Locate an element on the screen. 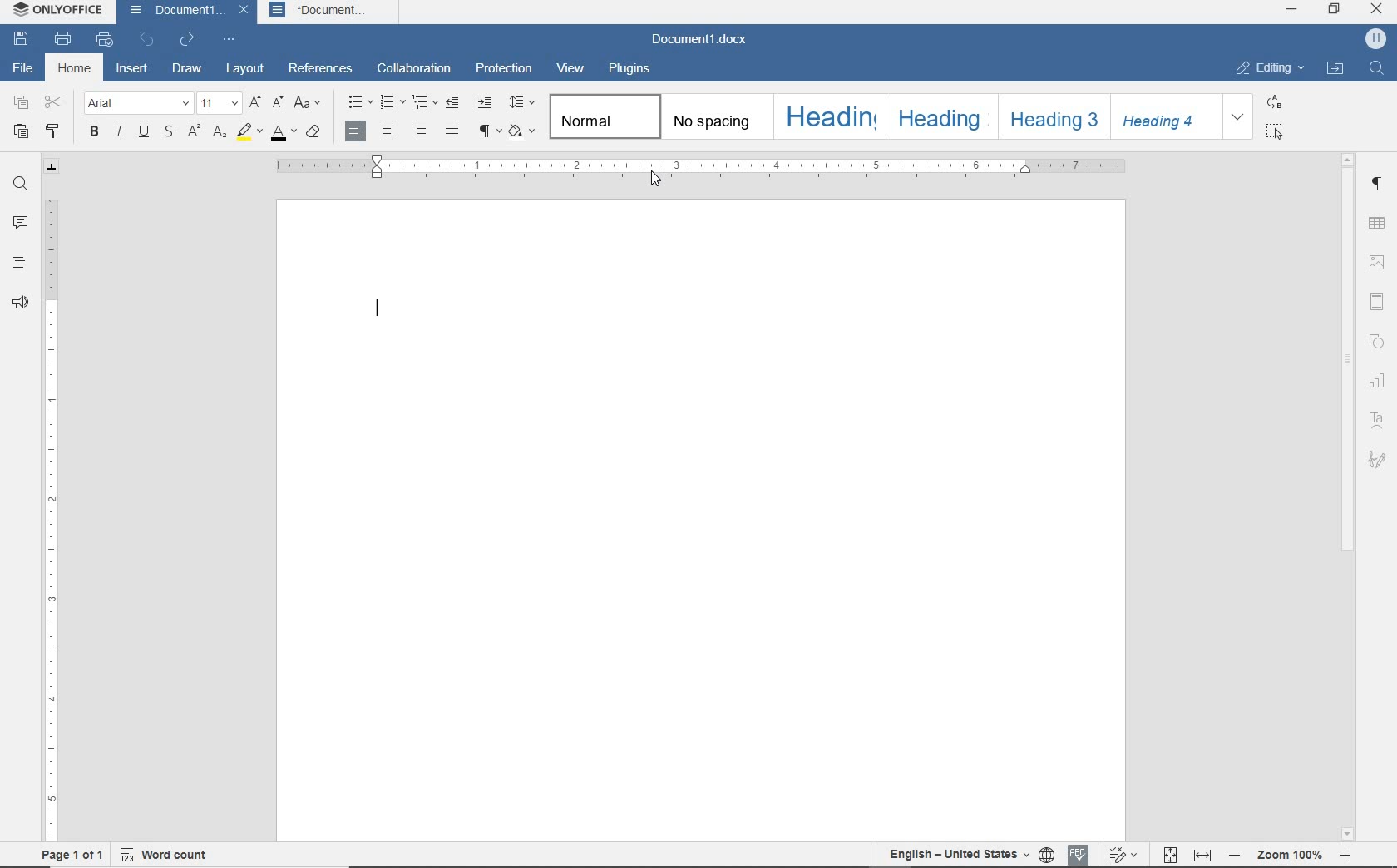 Image resolution: width=1397 pixels, height=868 pixels. PLUGINS is located at coordinates (631, 69).